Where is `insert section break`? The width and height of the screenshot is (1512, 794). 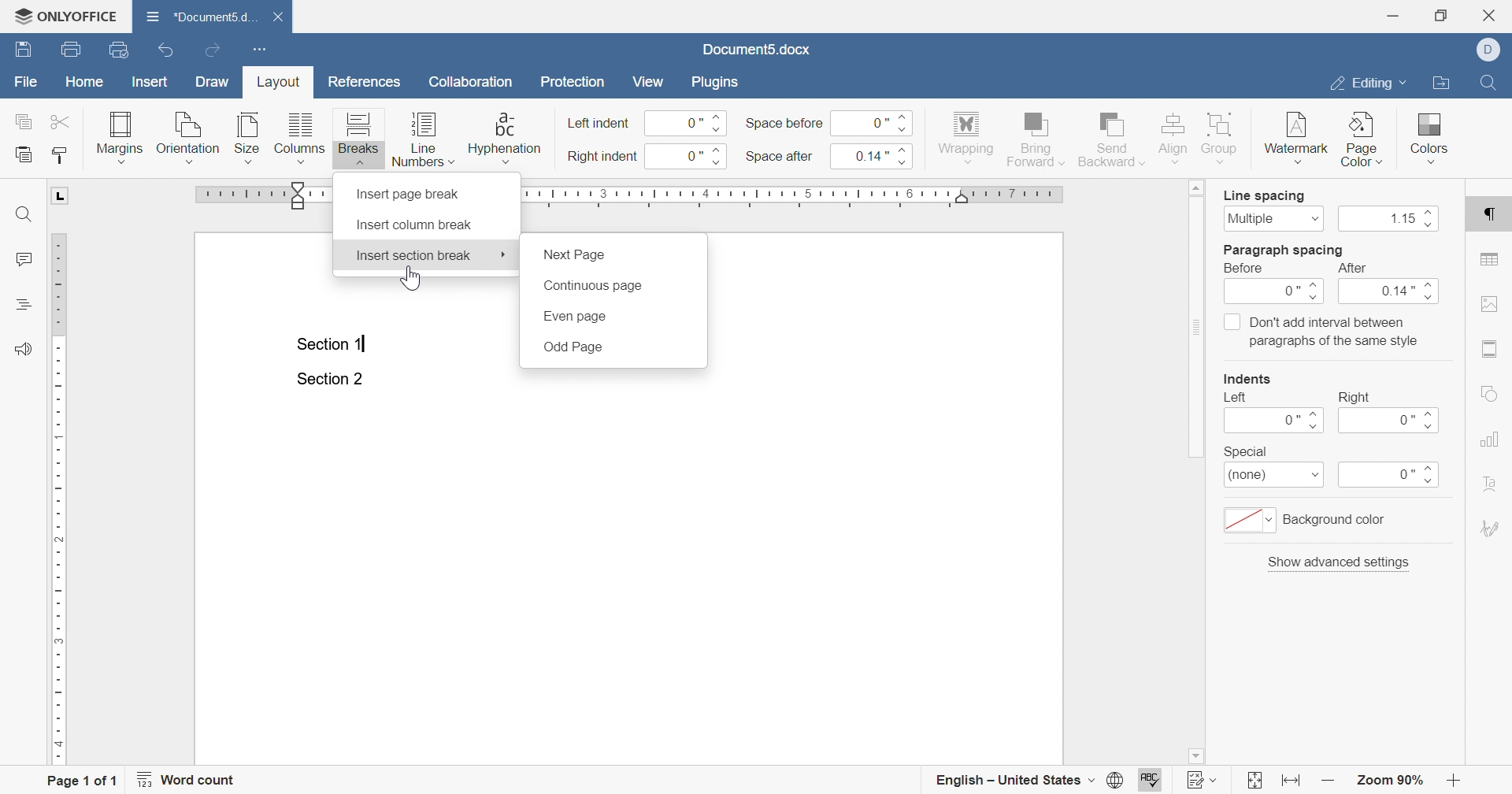 insert section break is located at coordinates (413, 255).